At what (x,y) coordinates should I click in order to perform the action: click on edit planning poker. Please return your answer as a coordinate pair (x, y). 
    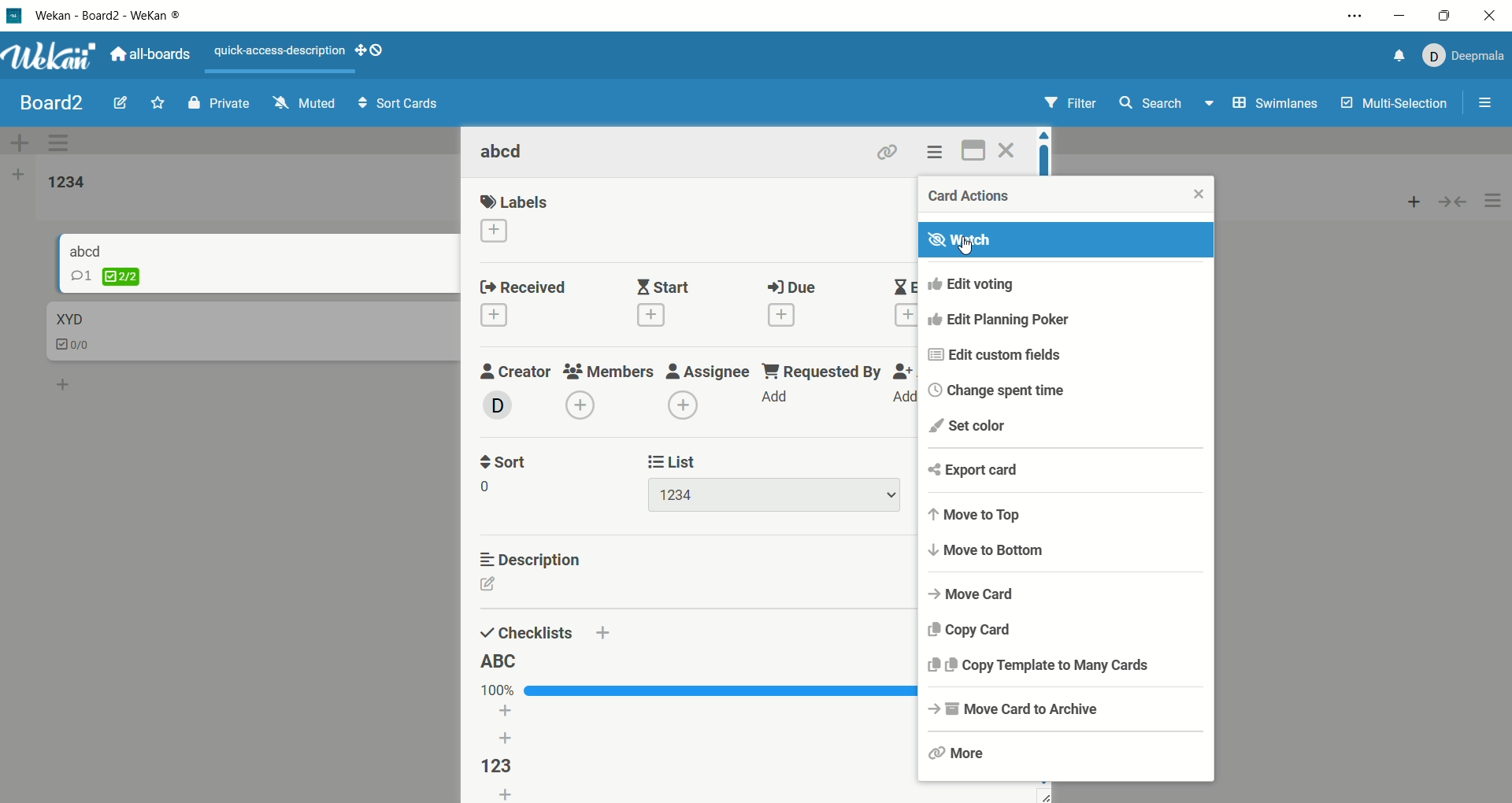
    Looking at the image, I should click on (1065, 325).